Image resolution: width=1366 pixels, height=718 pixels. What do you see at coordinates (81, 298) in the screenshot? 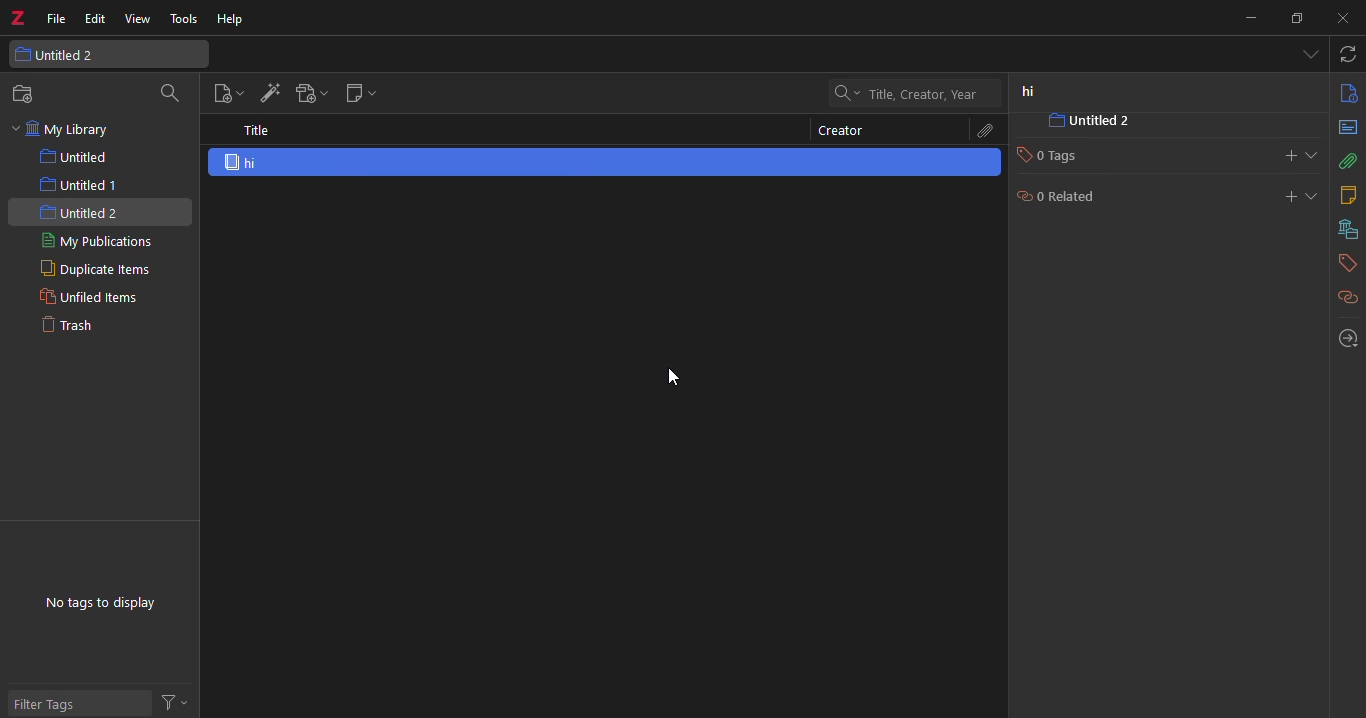
I see `unfiled items` at bounding box center [81, 298].